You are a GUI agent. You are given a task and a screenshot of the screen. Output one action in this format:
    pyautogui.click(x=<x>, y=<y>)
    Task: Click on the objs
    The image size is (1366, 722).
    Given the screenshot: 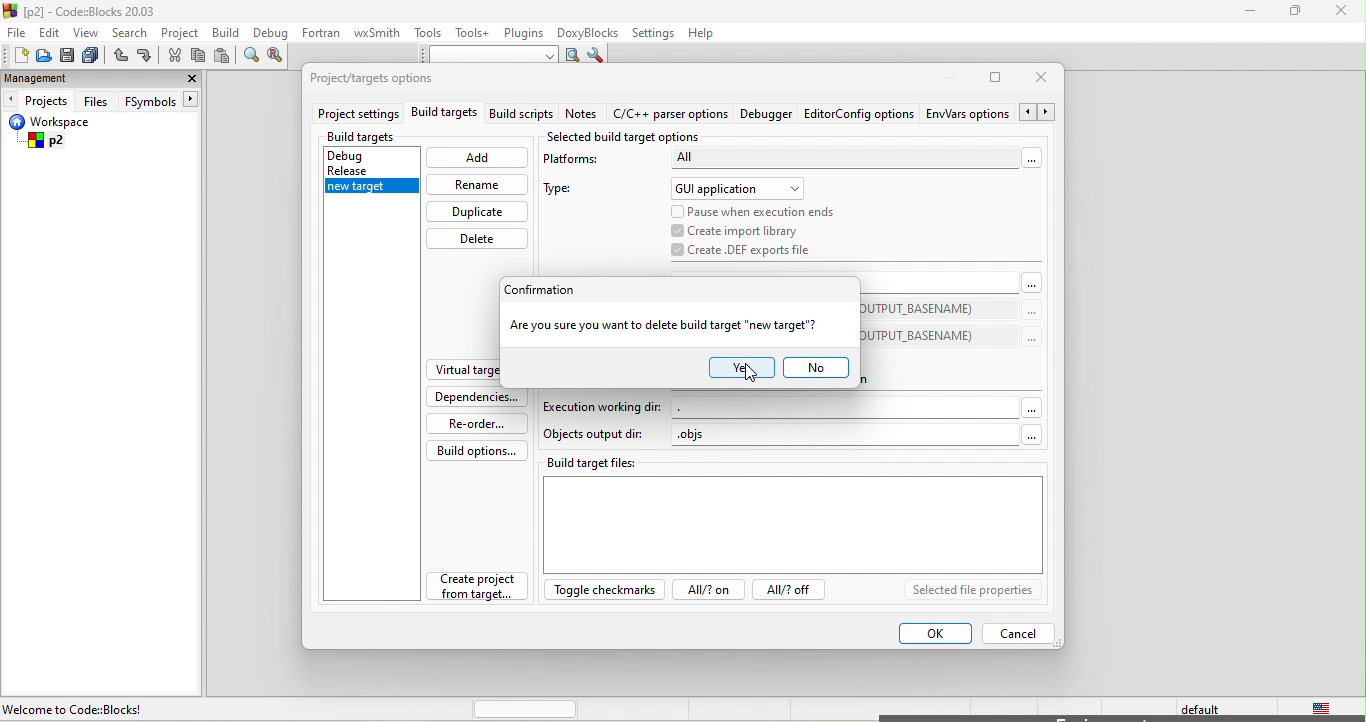 What is the action you would take?
    pyautogui.click(x=857, y=437)
    